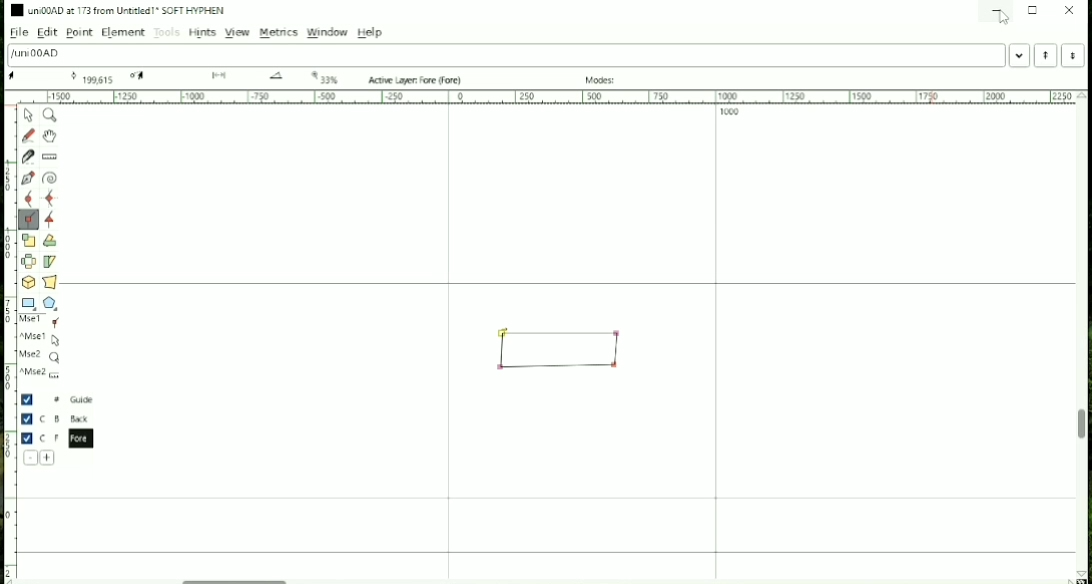 The width and height of the screenshot is (1092, 584). What do you see at coordinates (58, 418) in the screenshot?
I see `Back` at bounding box center [58, 418].